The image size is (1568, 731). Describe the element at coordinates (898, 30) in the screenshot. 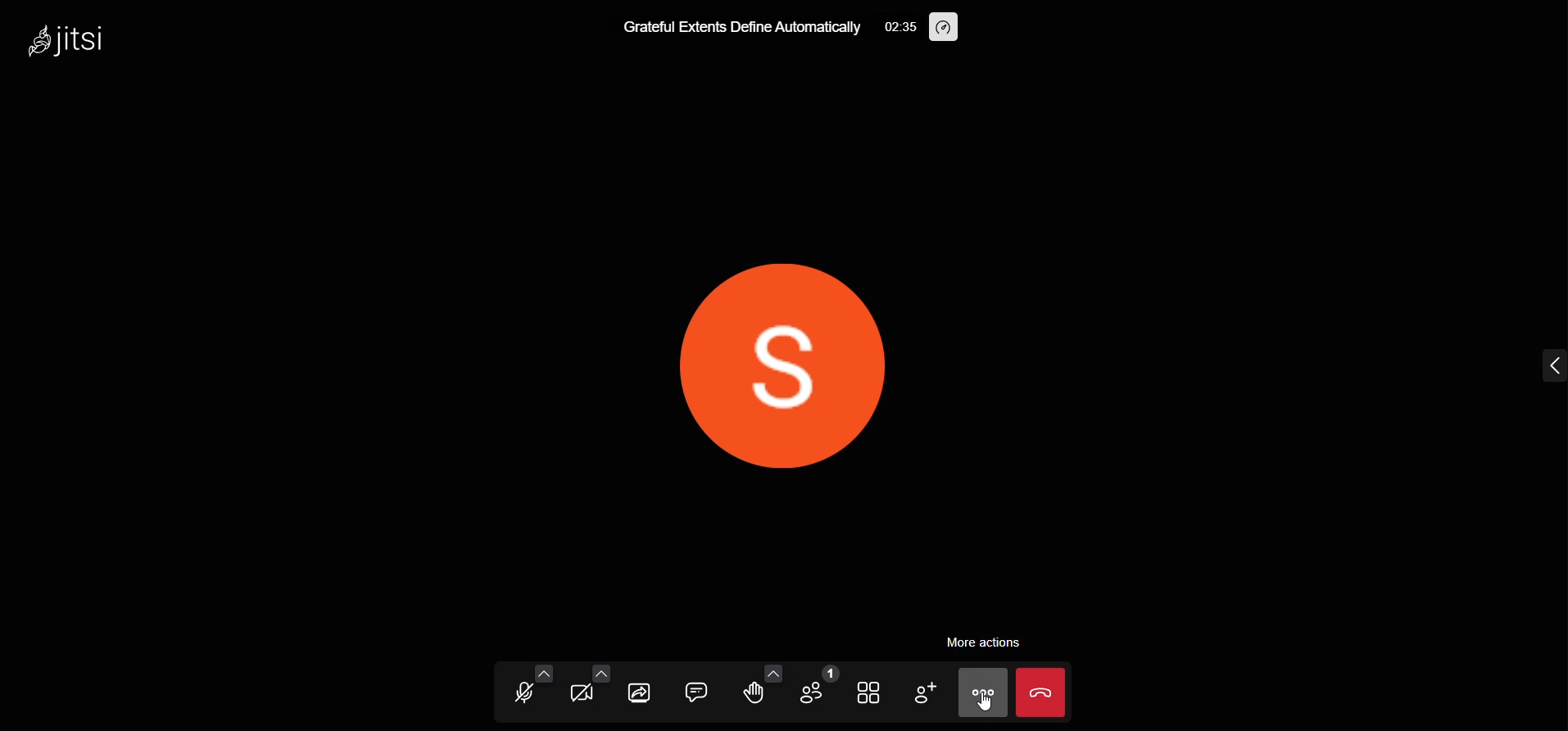

I see `time` at that location.